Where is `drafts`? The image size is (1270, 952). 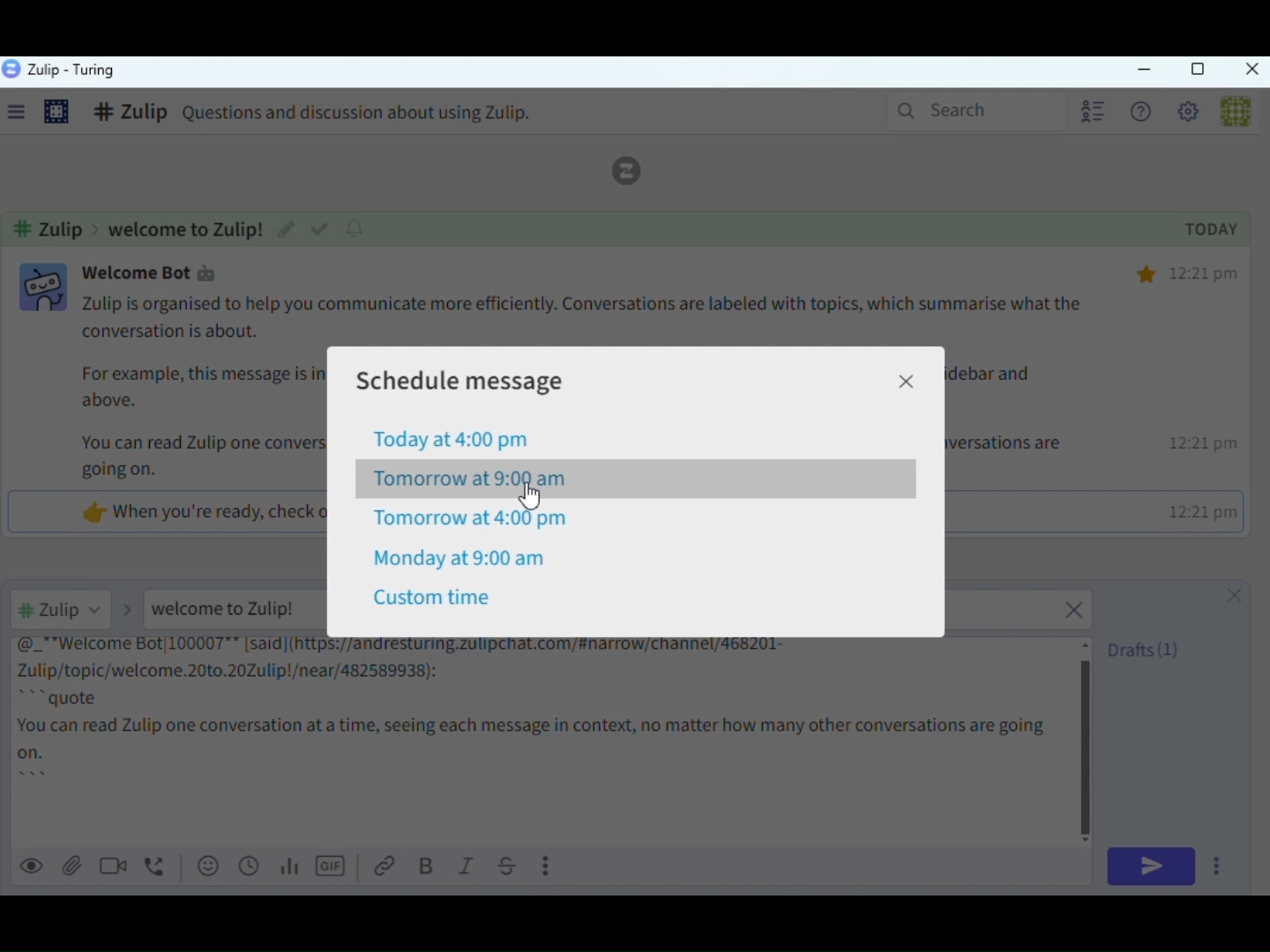
drafts is located at coordinates (1145, 650).